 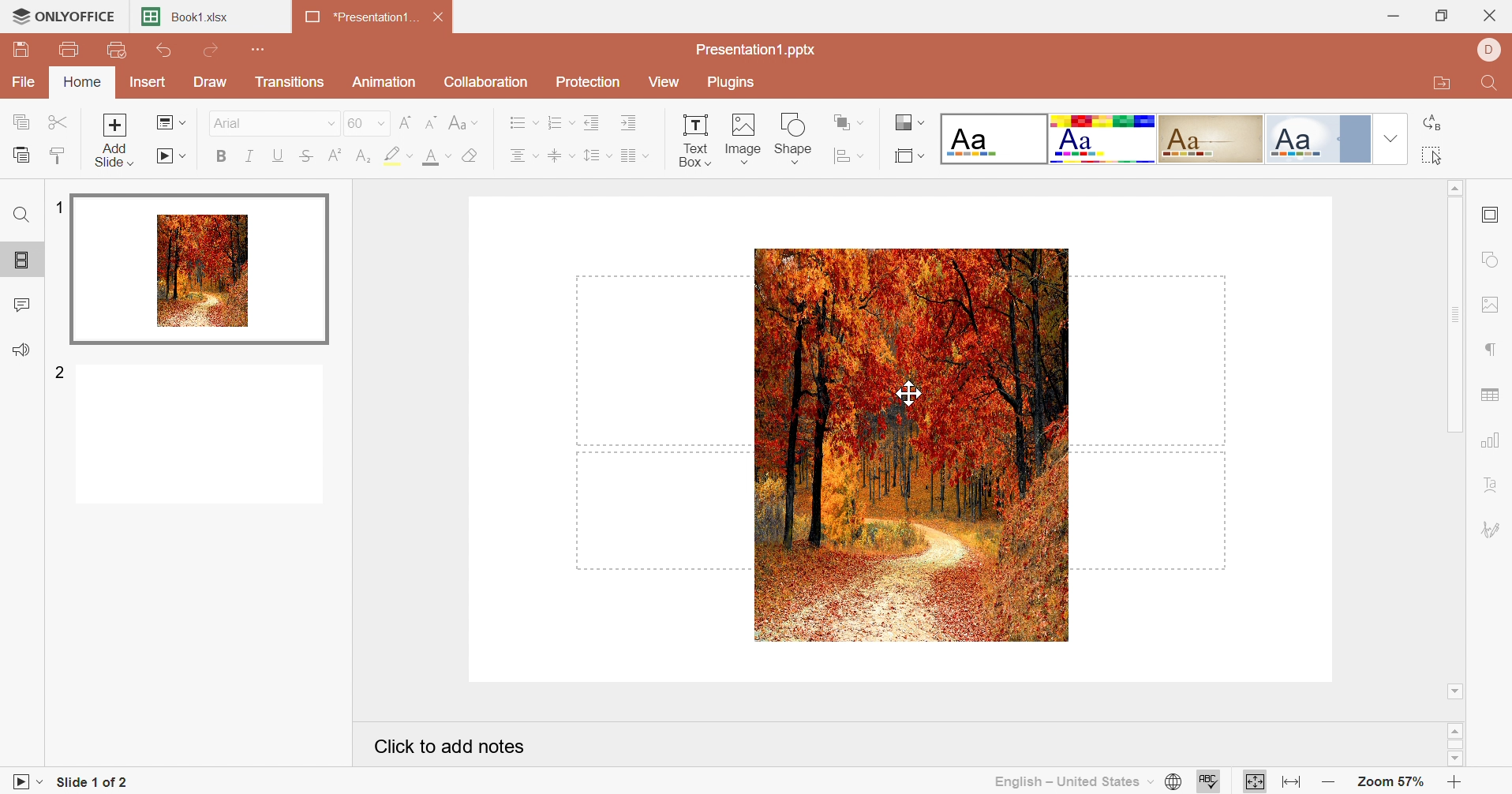 What do you see at coordinates (1432, 158) in the screenshot?
I see `Select all` at bounding box center [1432, 158].